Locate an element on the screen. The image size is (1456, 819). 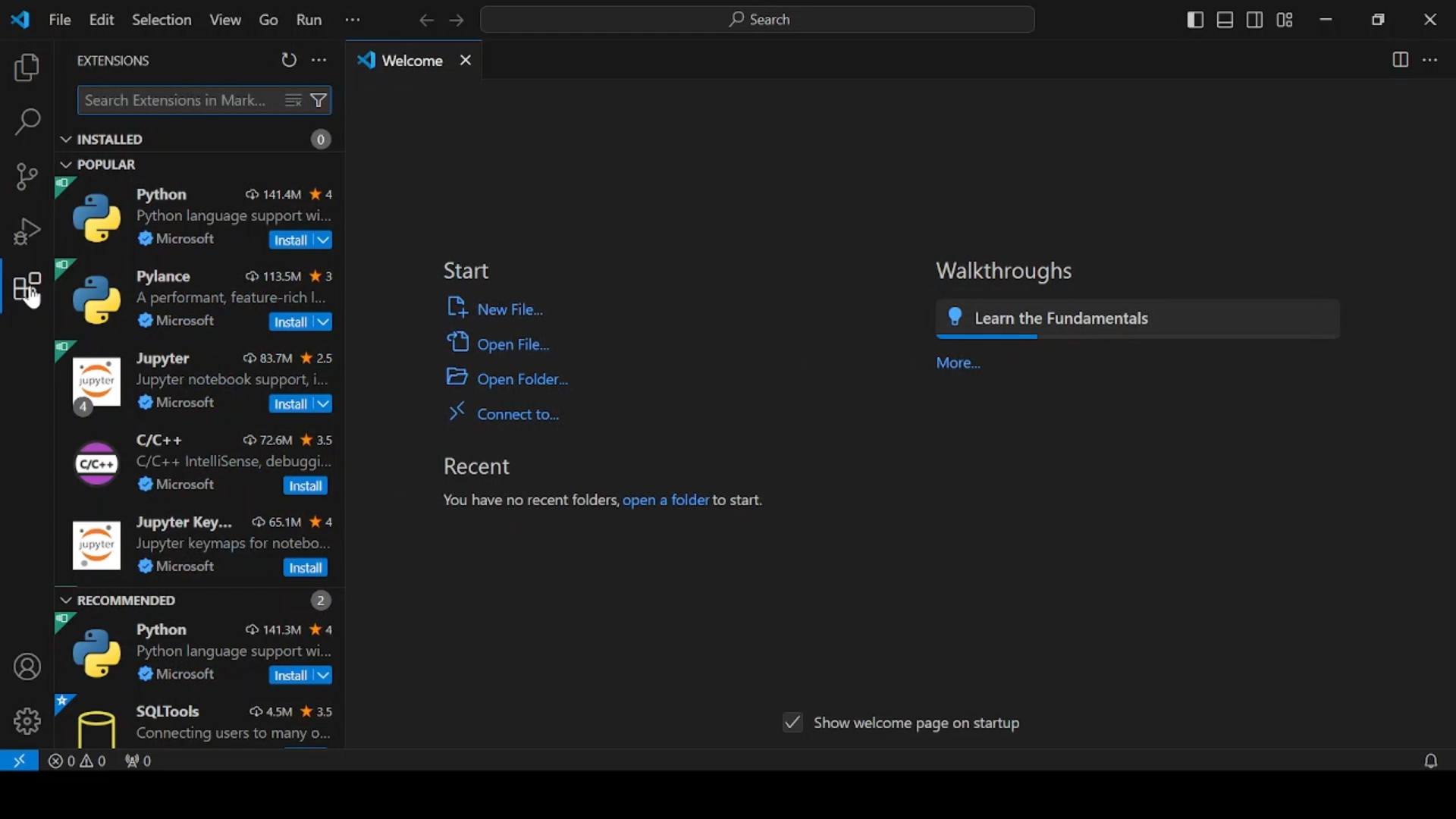
restore down is located at coordinates (1379, 20).